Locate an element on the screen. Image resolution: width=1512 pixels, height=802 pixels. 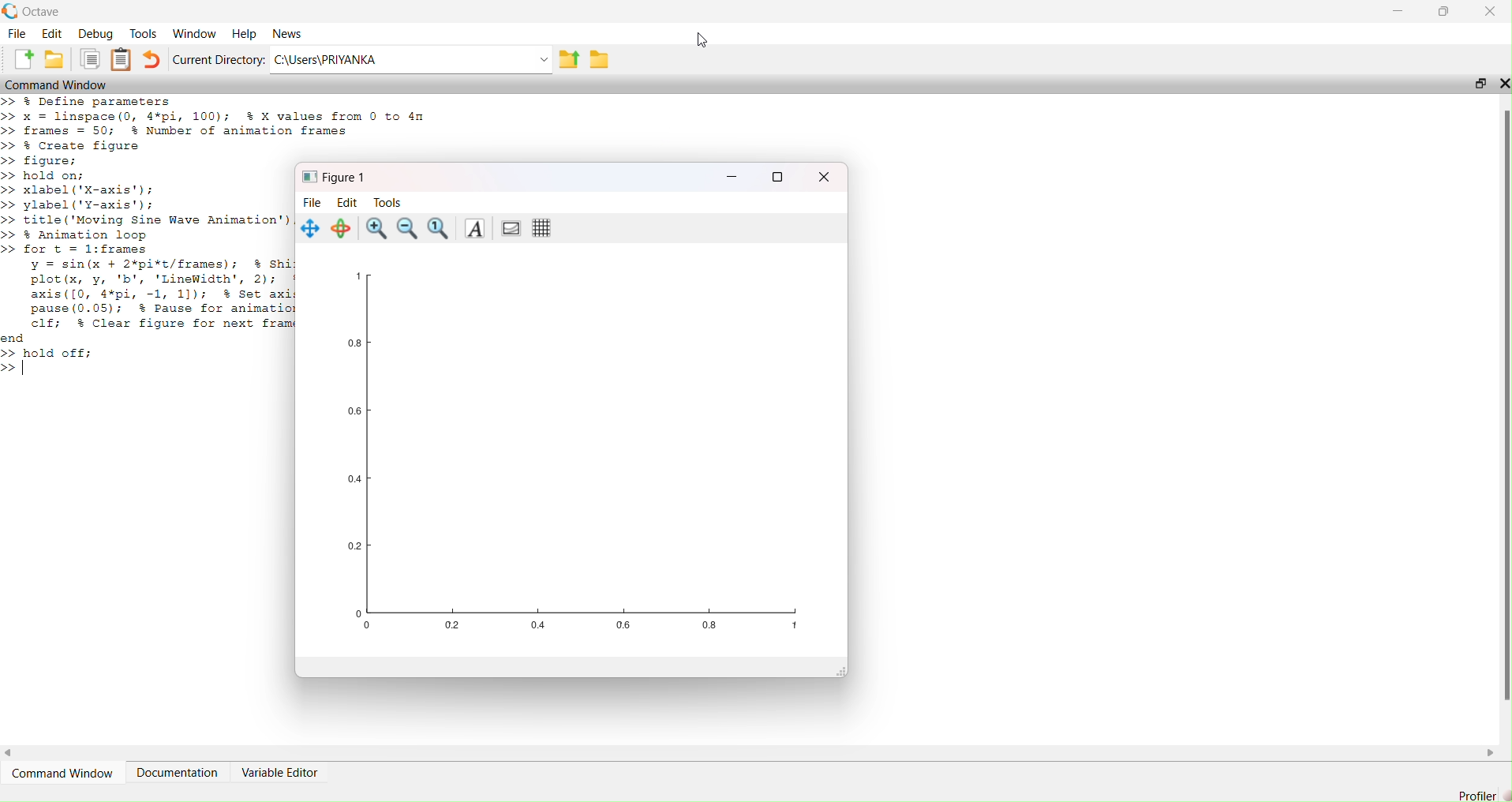
pw TR TREN AES ERITNSSEVENENENES.

>> x = linspace(0, 4*pi, 100); % X va.

>> frames = 50; 3% Number of animation

>> § Create figure

>> figure;

>> hold on;

>> xlabel('X-axis');

>> ylabel('¥-axis');

>> title('Moving Sine Wave Animation')

>> % Animation loop

>> for t = 1:frames
vy = sin(x + 2%pi*t/frames); % Shi
plot(x, y, 'b', 'LineWidth', 2);
axis ([0, 4*pi, -1, 11); % Set axi
pause (0.05); % Pause for animatioi
clf; & Clear figure for next fram

end

>> hold off;

>| is located at coordinates (148, 234).